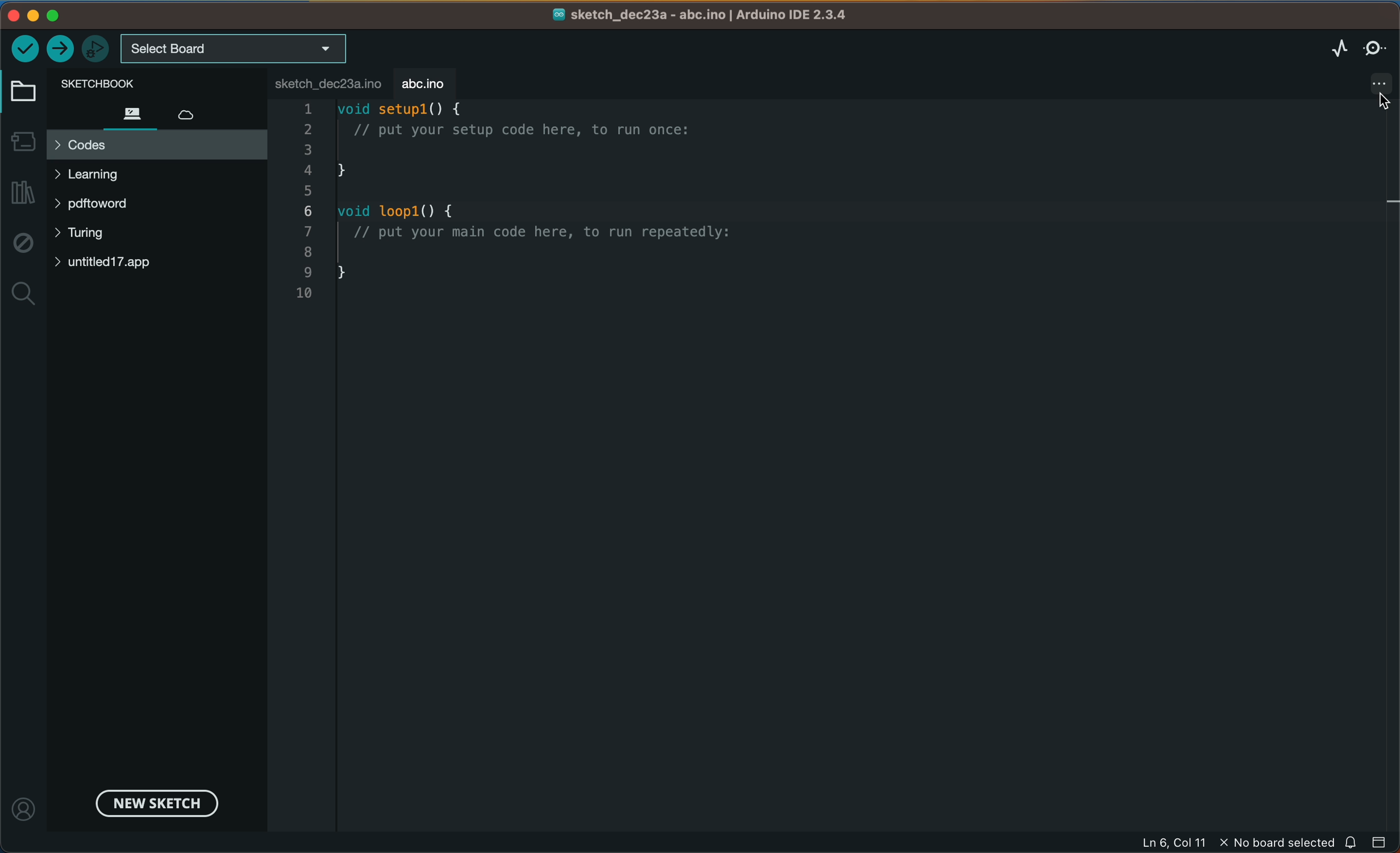  What do you see at coordinates (233, 48) in the screenshot?
I see `board selecter` at bounding box center [233, 48].